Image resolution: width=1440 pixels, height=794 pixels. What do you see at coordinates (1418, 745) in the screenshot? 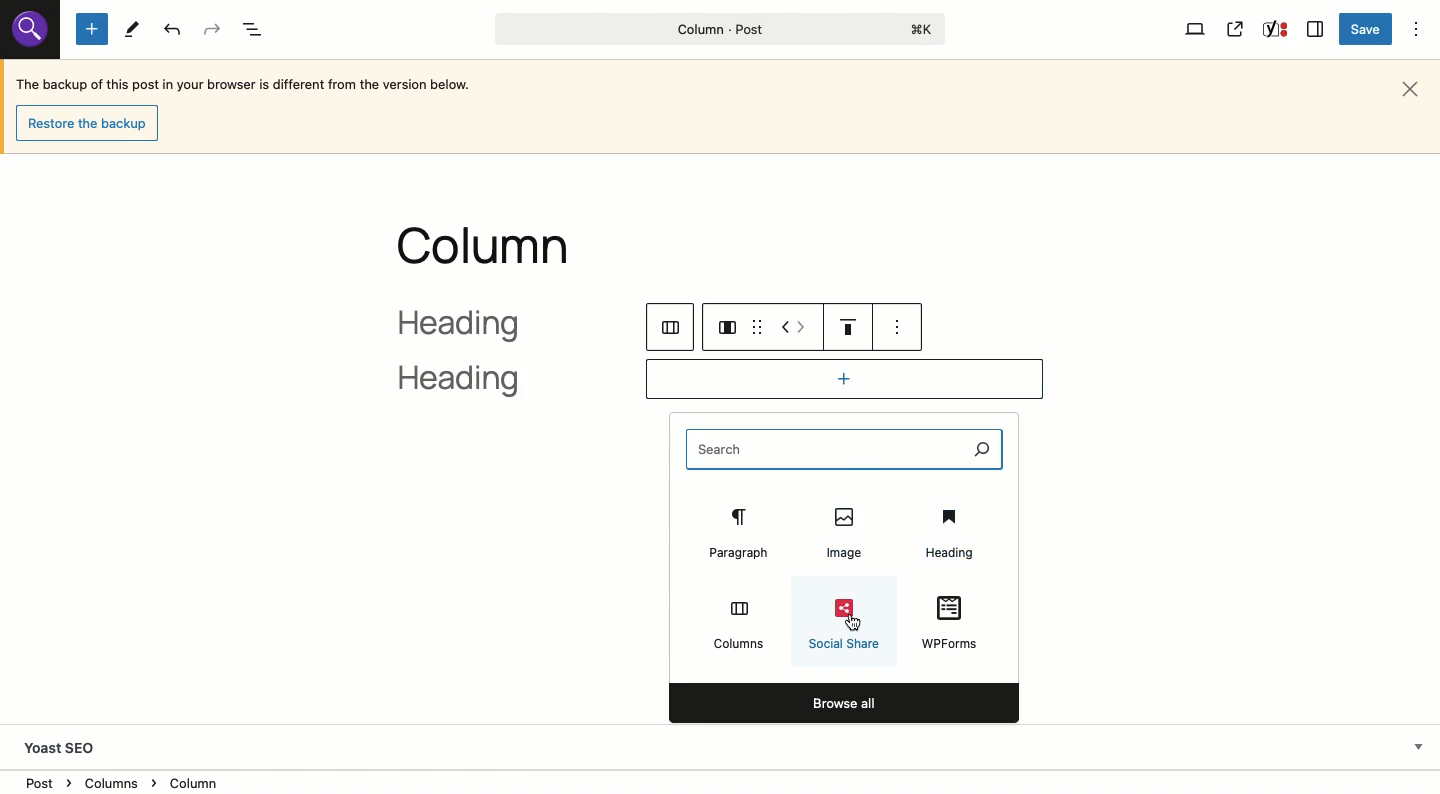
I see `Hide` at bounding box center [1418, 745].